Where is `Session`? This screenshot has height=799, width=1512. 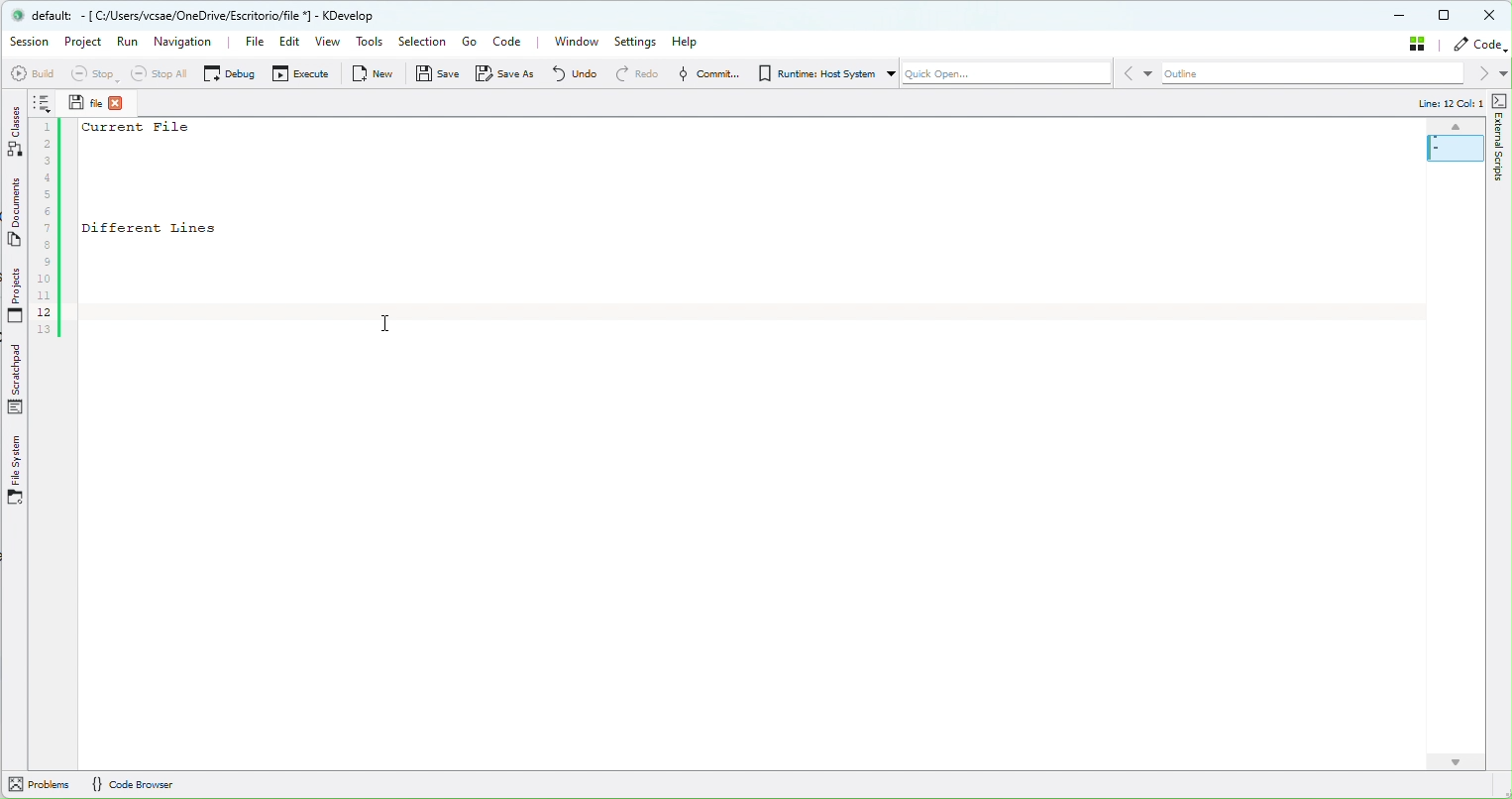 Session is located at coordinates (28, 43).